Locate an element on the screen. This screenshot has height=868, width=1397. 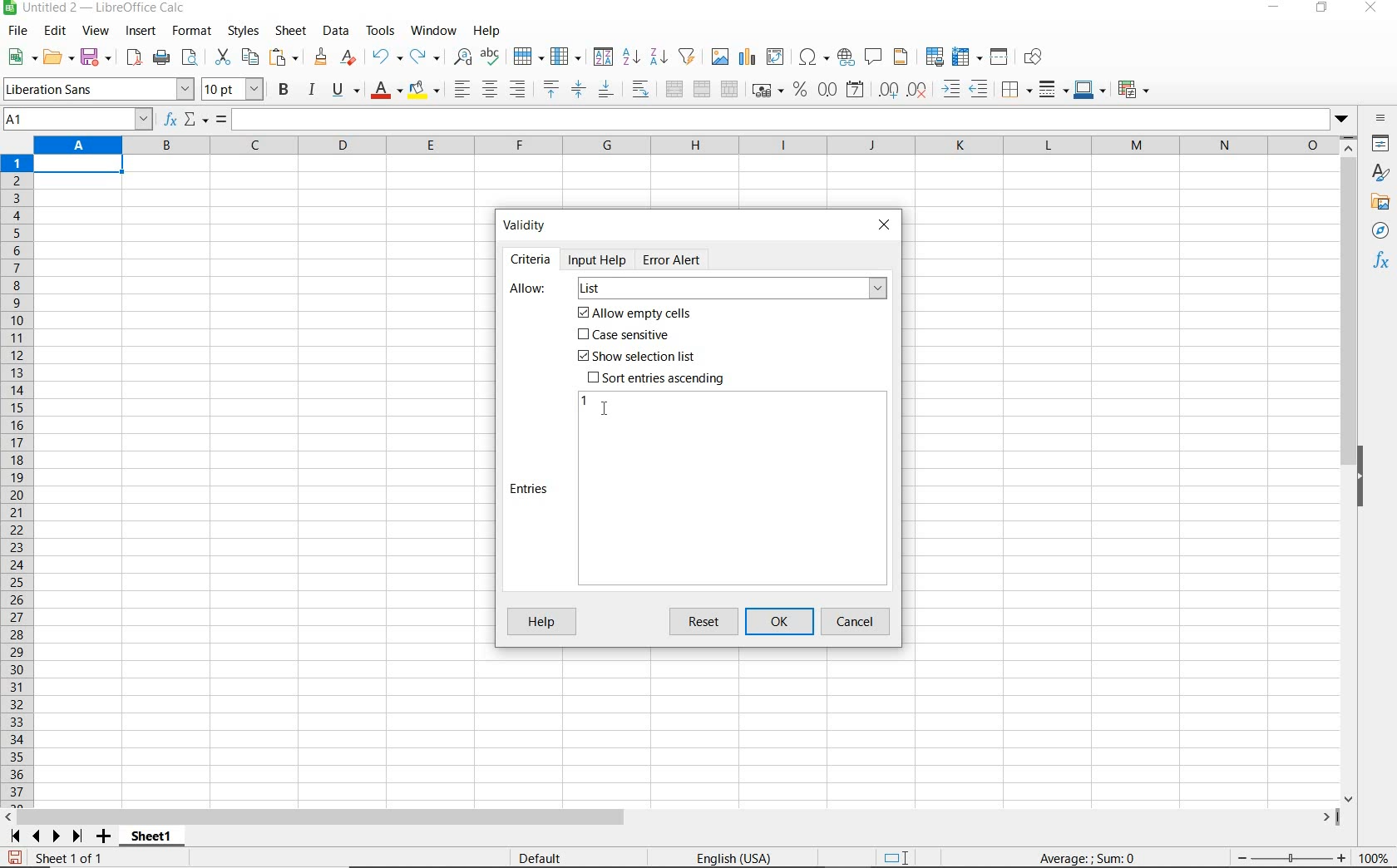
gallery is located at coordinates (1383, 203).